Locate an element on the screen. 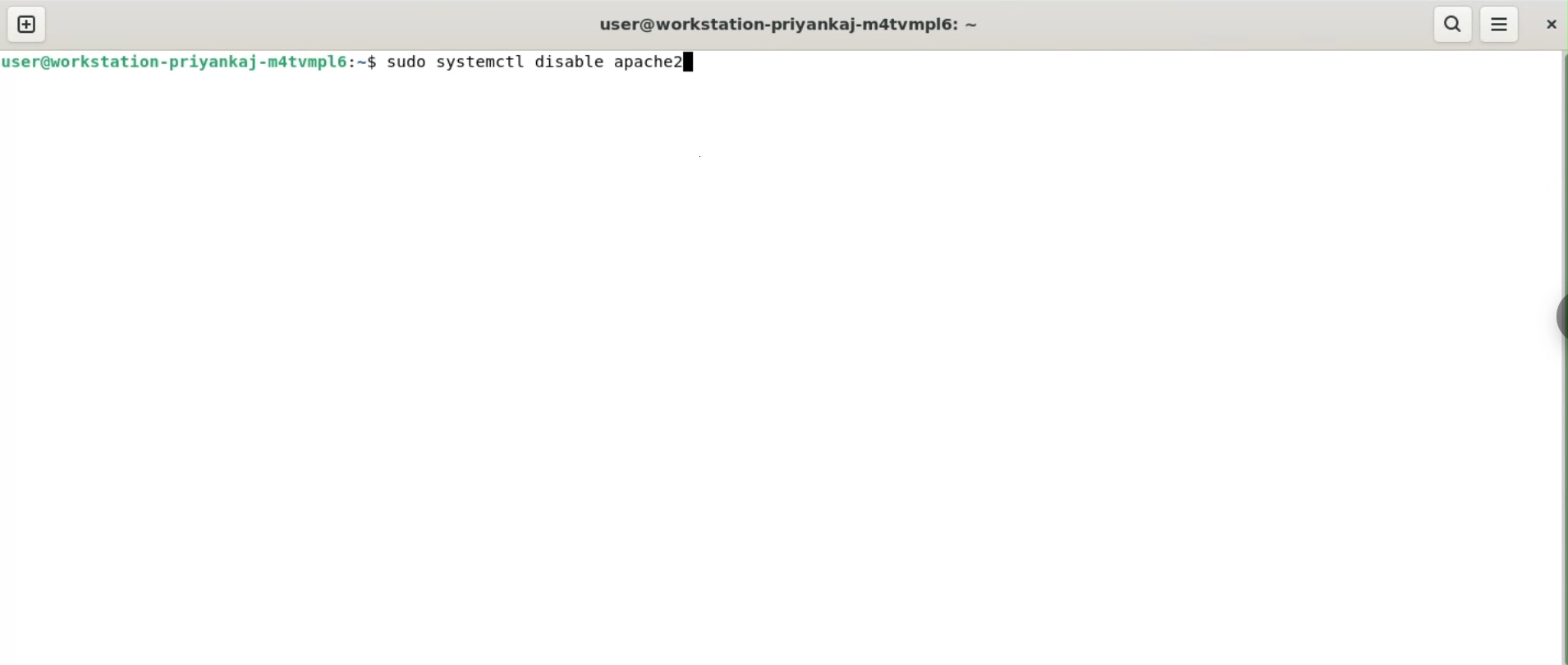  user@workstation-priyankaj-m4tvmpl6:~ is located at coordinates (791, 25).